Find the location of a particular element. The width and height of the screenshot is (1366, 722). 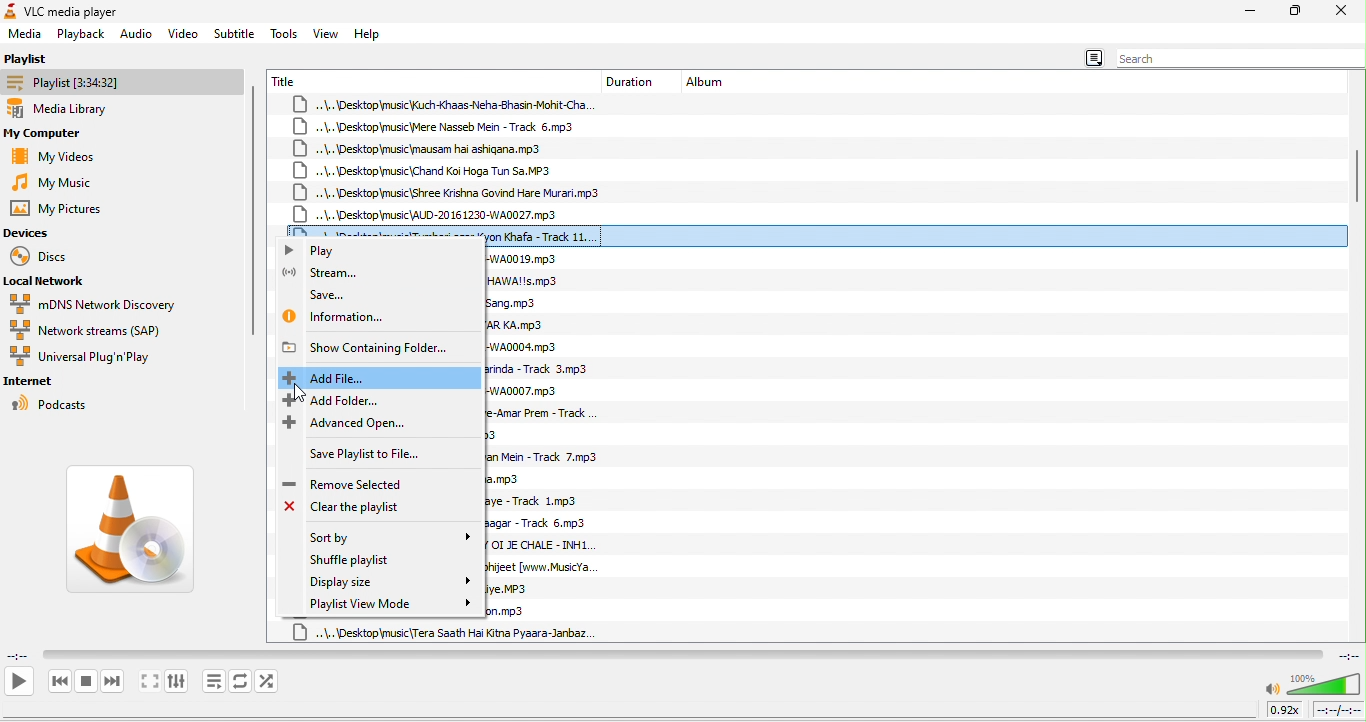

title is located at coordinates (288, 80).